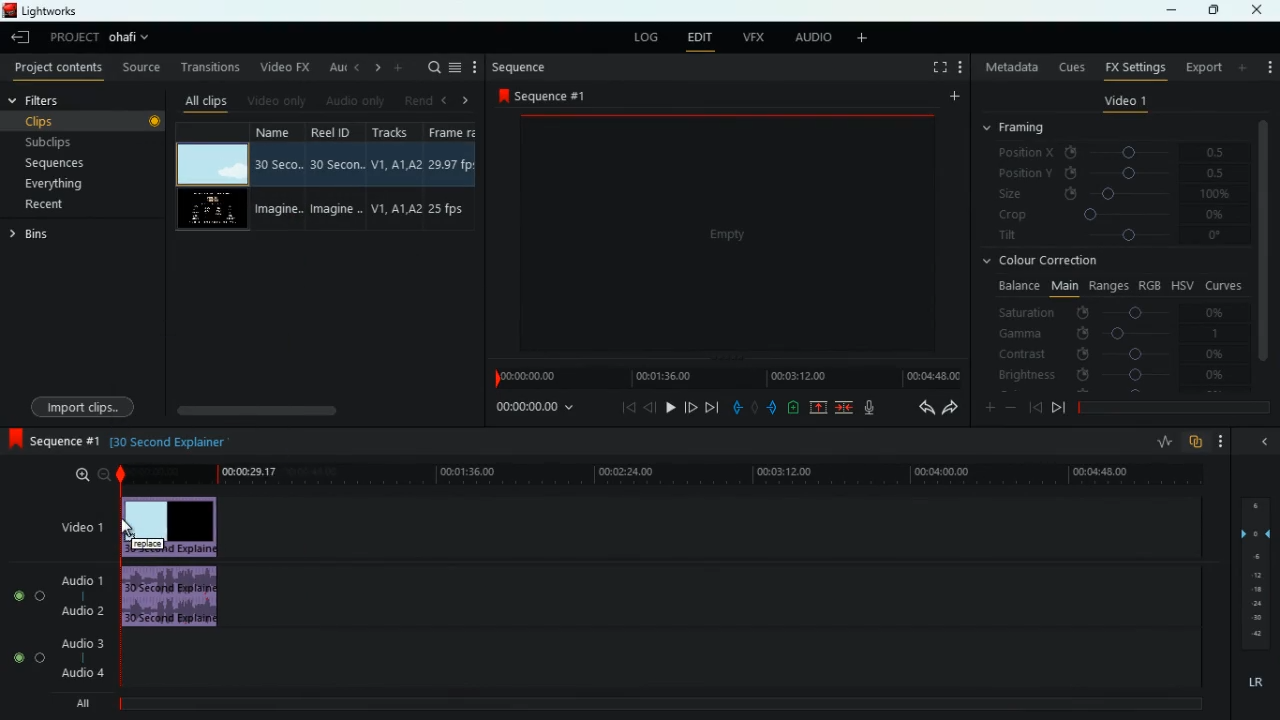 The height and width of the screenshot is (720, 1280). What do you see at coordinates (1104, 174) in the screenshot?
I see `position y` at bounding box center [1104, 174].